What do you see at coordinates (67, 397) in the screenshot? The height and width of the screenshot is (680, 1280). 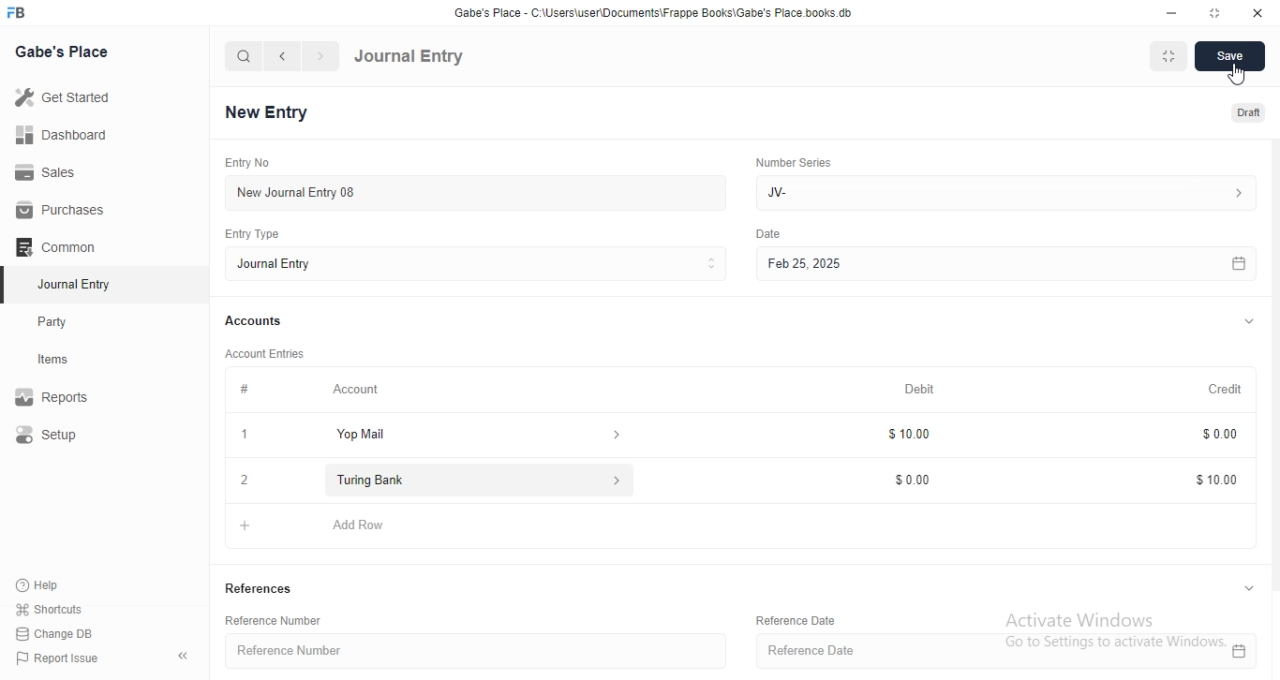 I see `Report` at bounding box center [67, 397].